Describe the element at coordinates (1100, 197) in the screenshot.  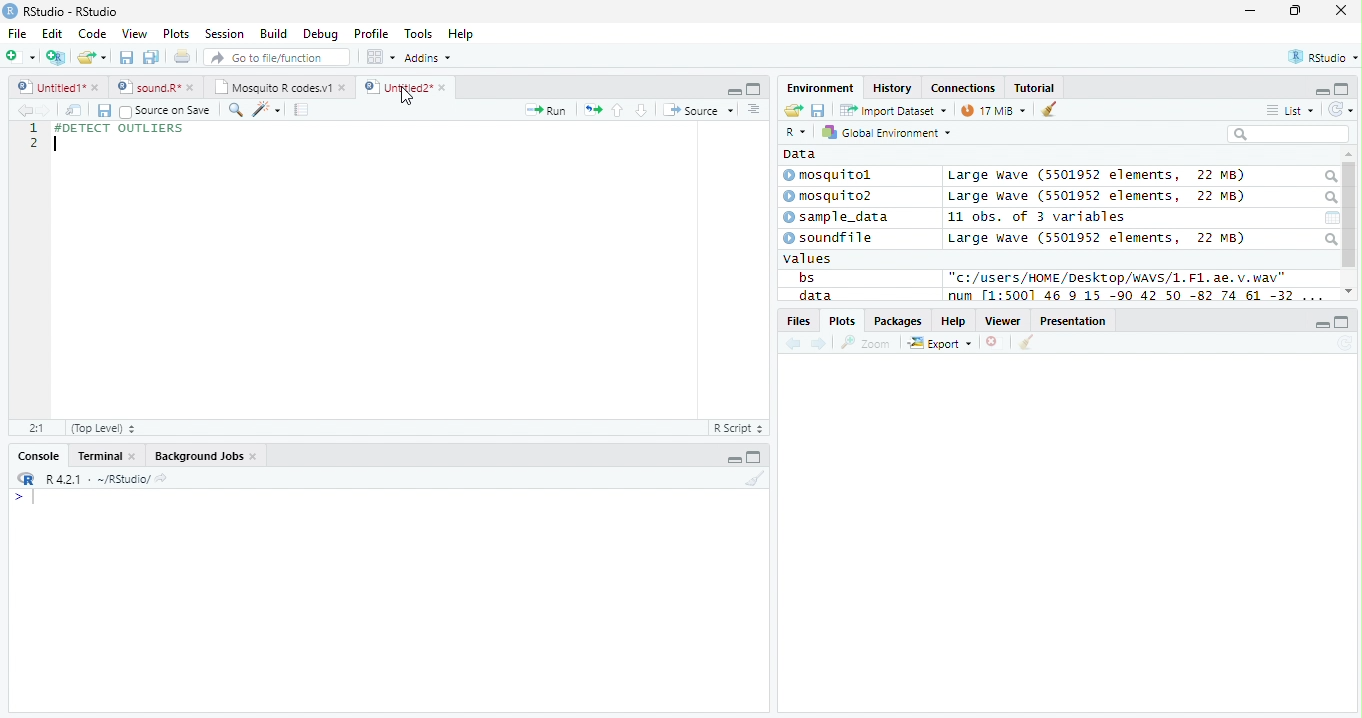
I see `Large wave (5501952 elements, 22 MB)` at that location.